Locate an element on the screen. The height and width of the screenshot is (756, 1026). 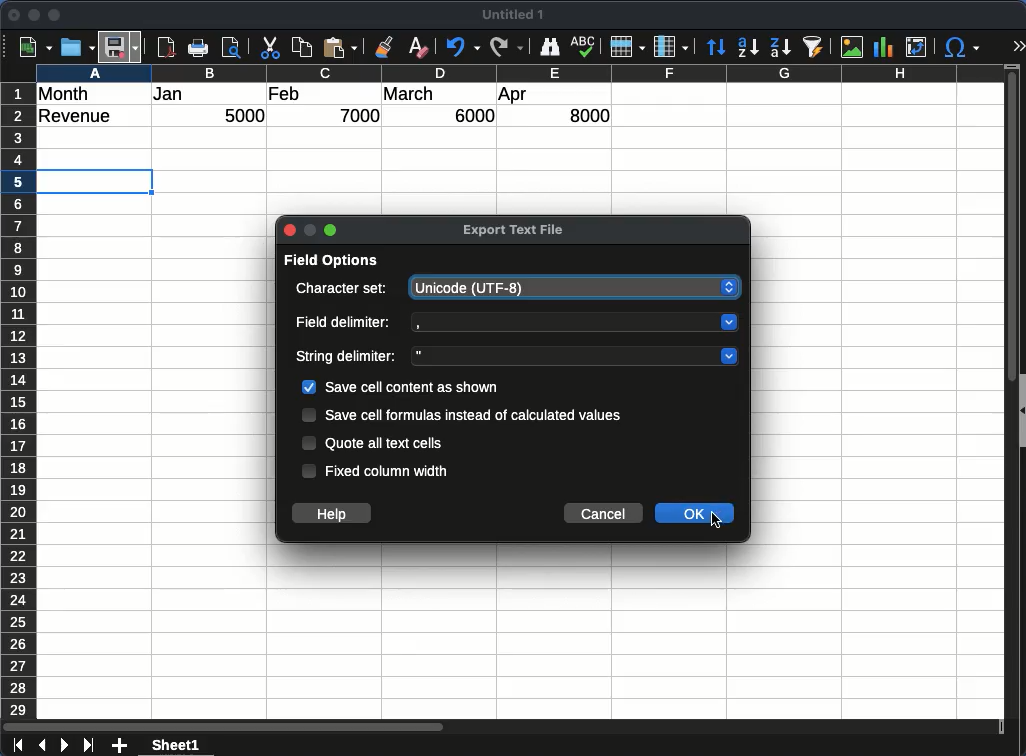
column is located at coordinates (671, 46).